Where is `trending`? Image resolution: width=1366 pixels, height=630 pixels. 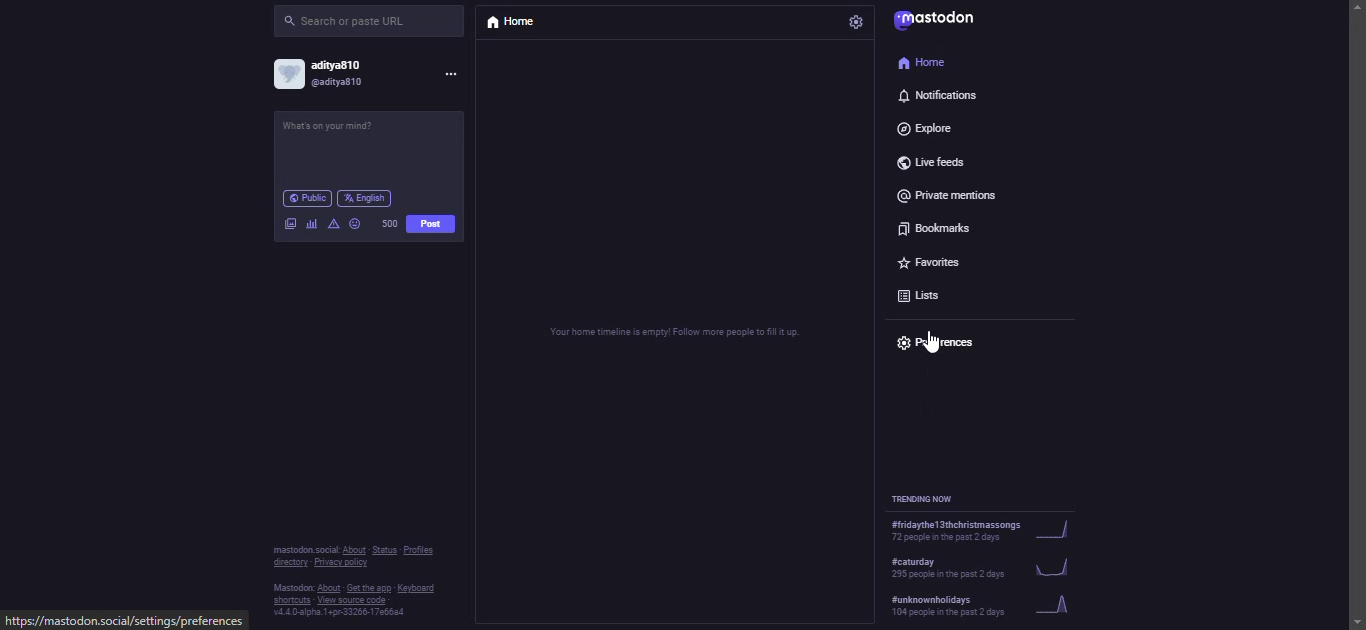
trending is located at coordinates (927, 500).